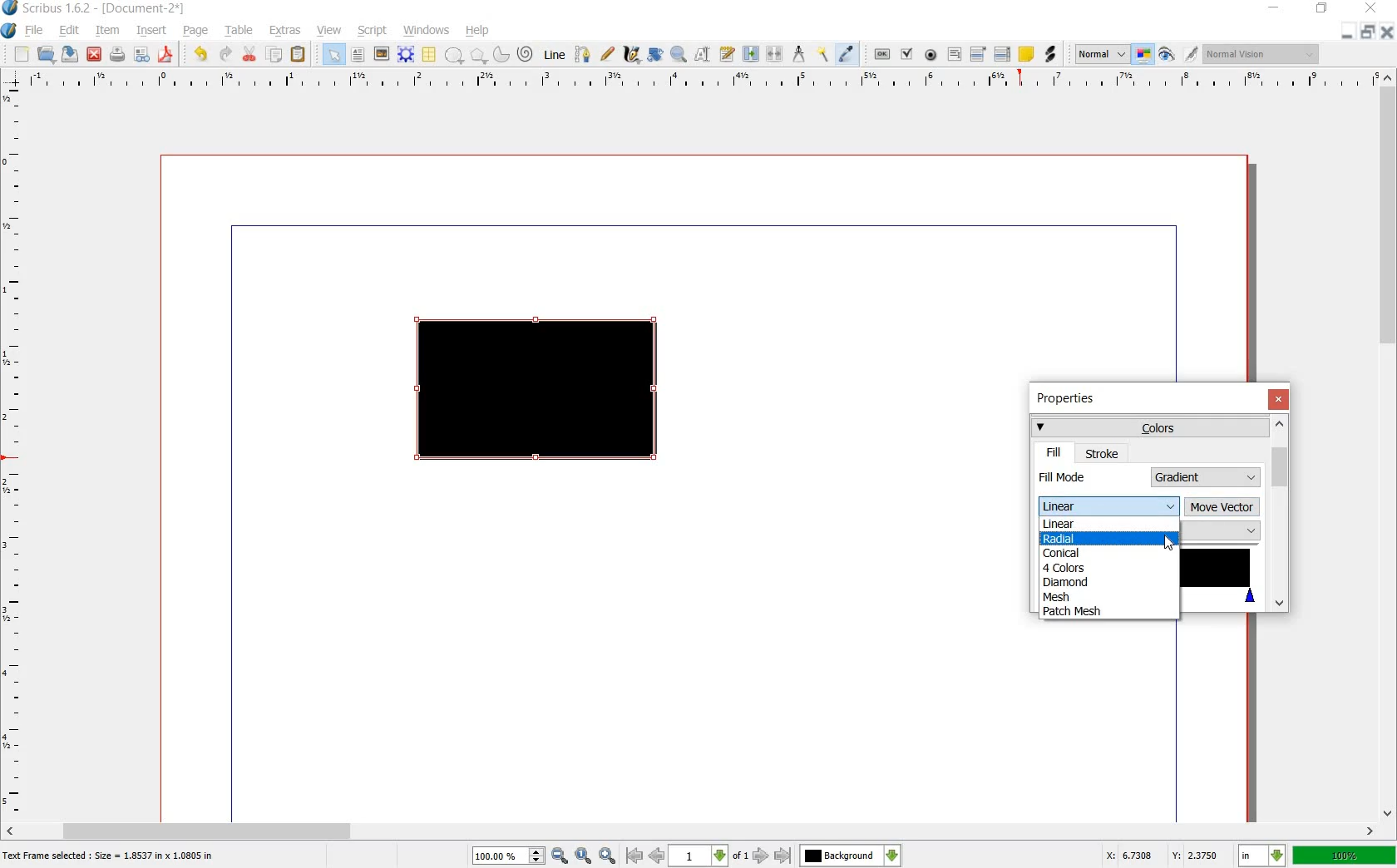 The height and width of the screenshot is (868, 1397). I want to click on colors, so click(1148, 427).